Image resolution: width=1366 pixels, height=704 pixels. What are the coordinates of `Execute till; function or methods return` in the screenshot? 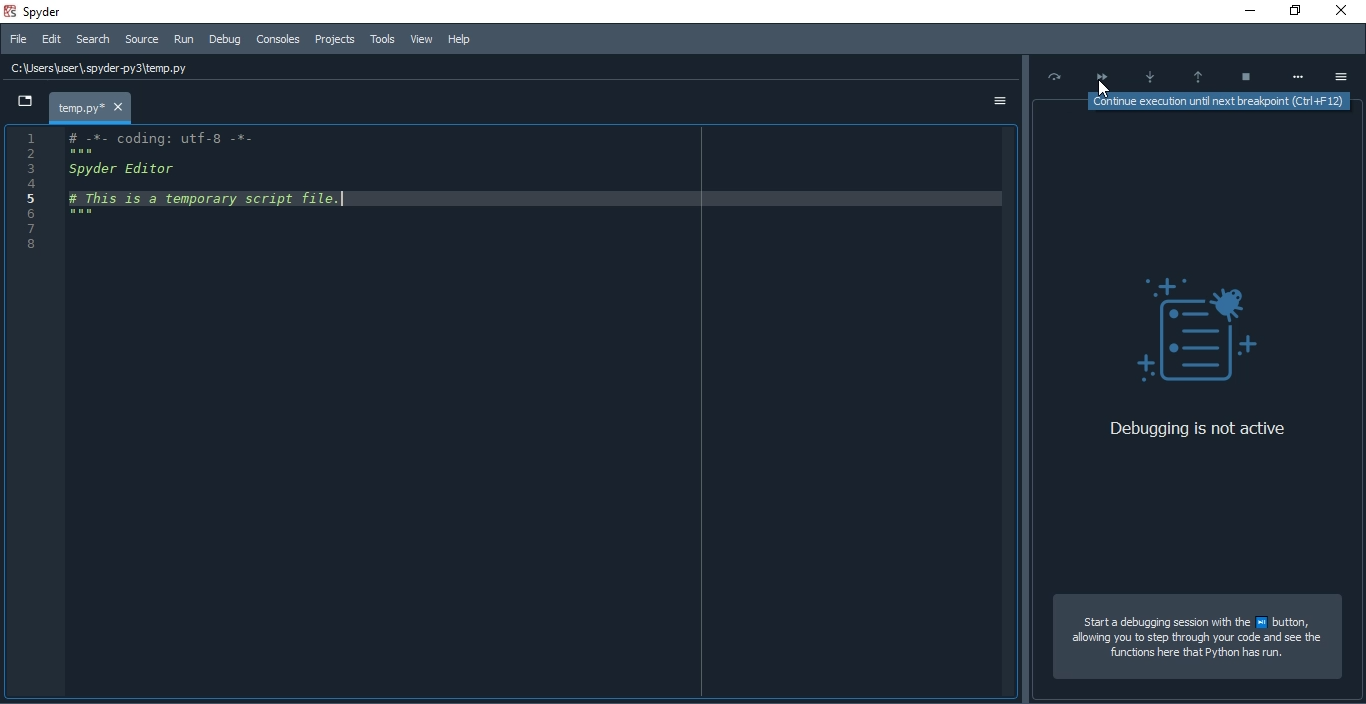 It's located at (1198, 71).